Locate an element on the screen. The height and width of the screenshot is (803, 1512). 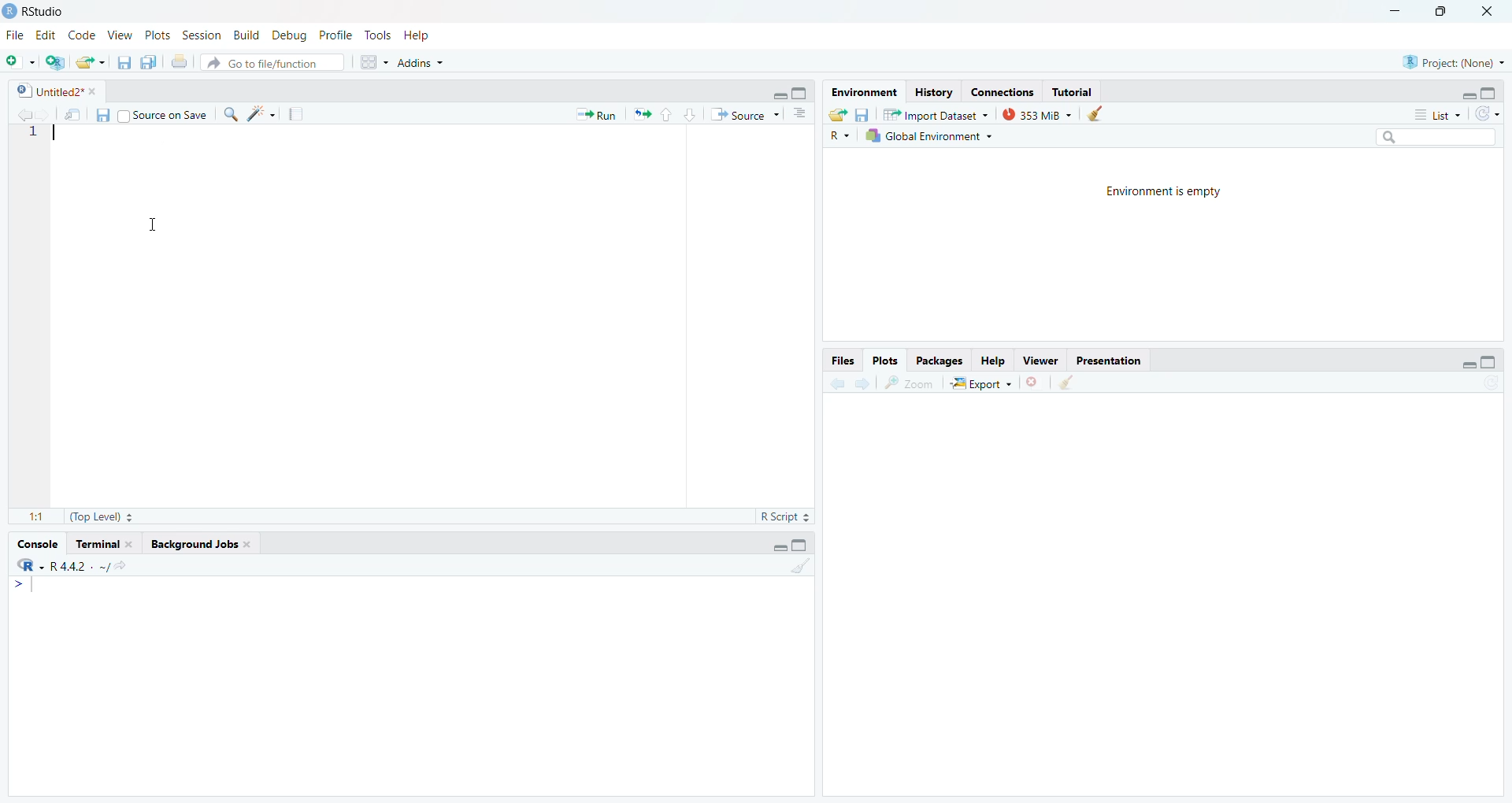
hide console is located at coordinates (1490, 92).